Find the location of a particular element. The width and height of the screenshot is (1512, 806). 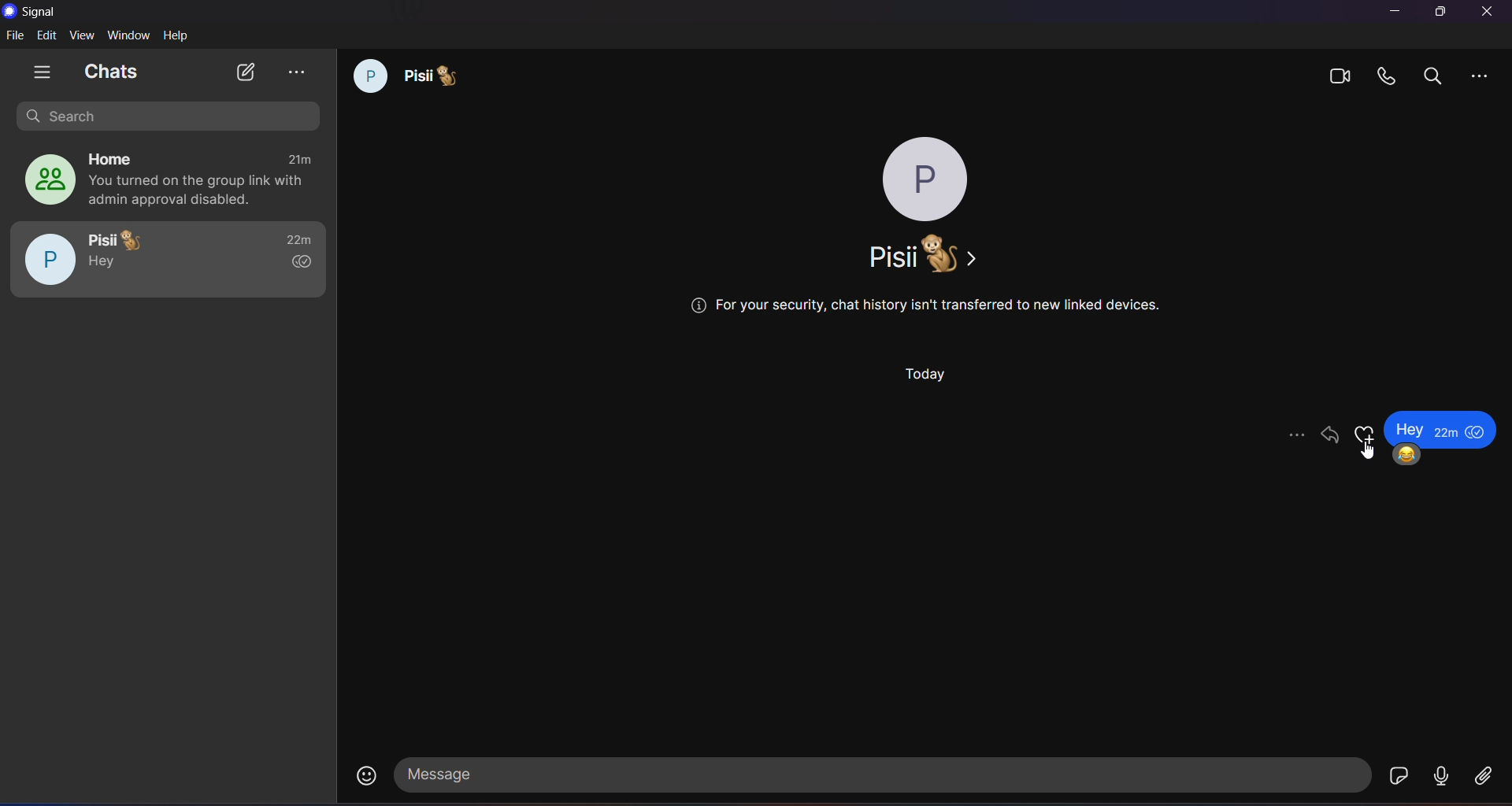

logo is located at coordinates (11, 12).